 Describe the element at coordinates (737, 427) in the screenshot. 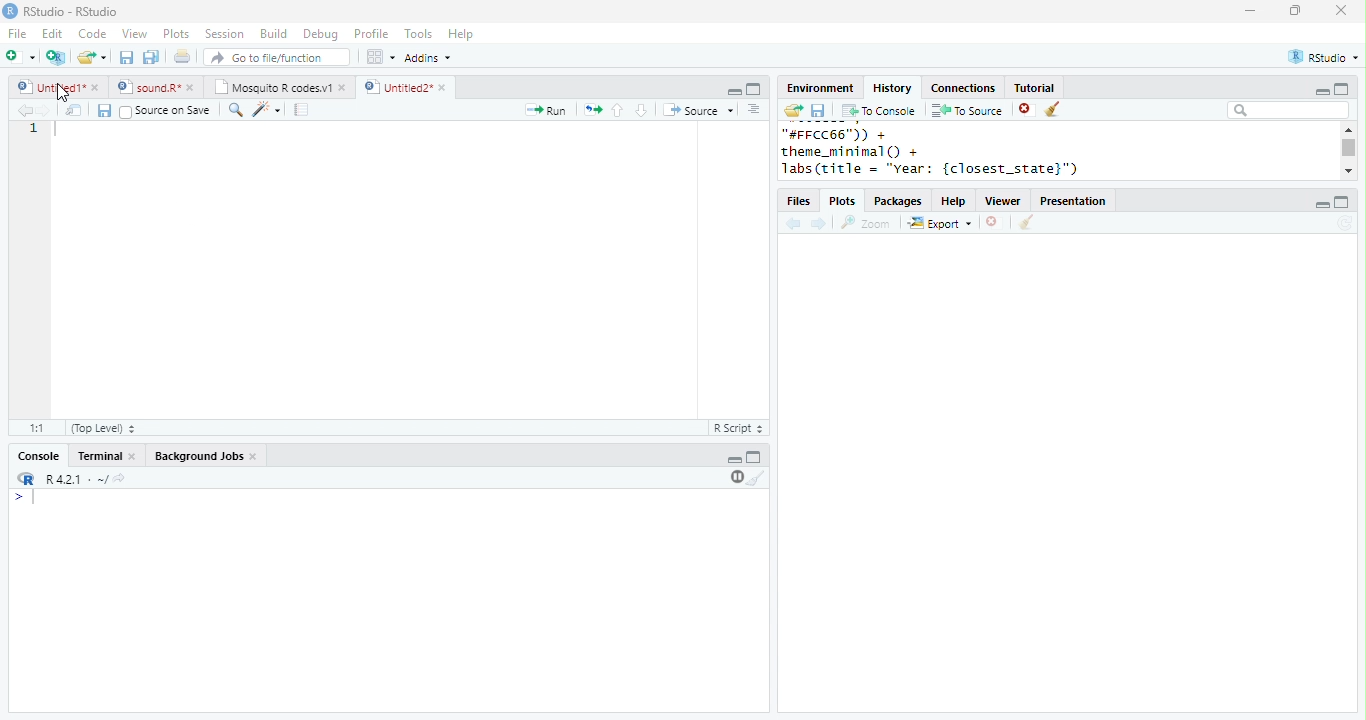

I see `R Script` at that location.